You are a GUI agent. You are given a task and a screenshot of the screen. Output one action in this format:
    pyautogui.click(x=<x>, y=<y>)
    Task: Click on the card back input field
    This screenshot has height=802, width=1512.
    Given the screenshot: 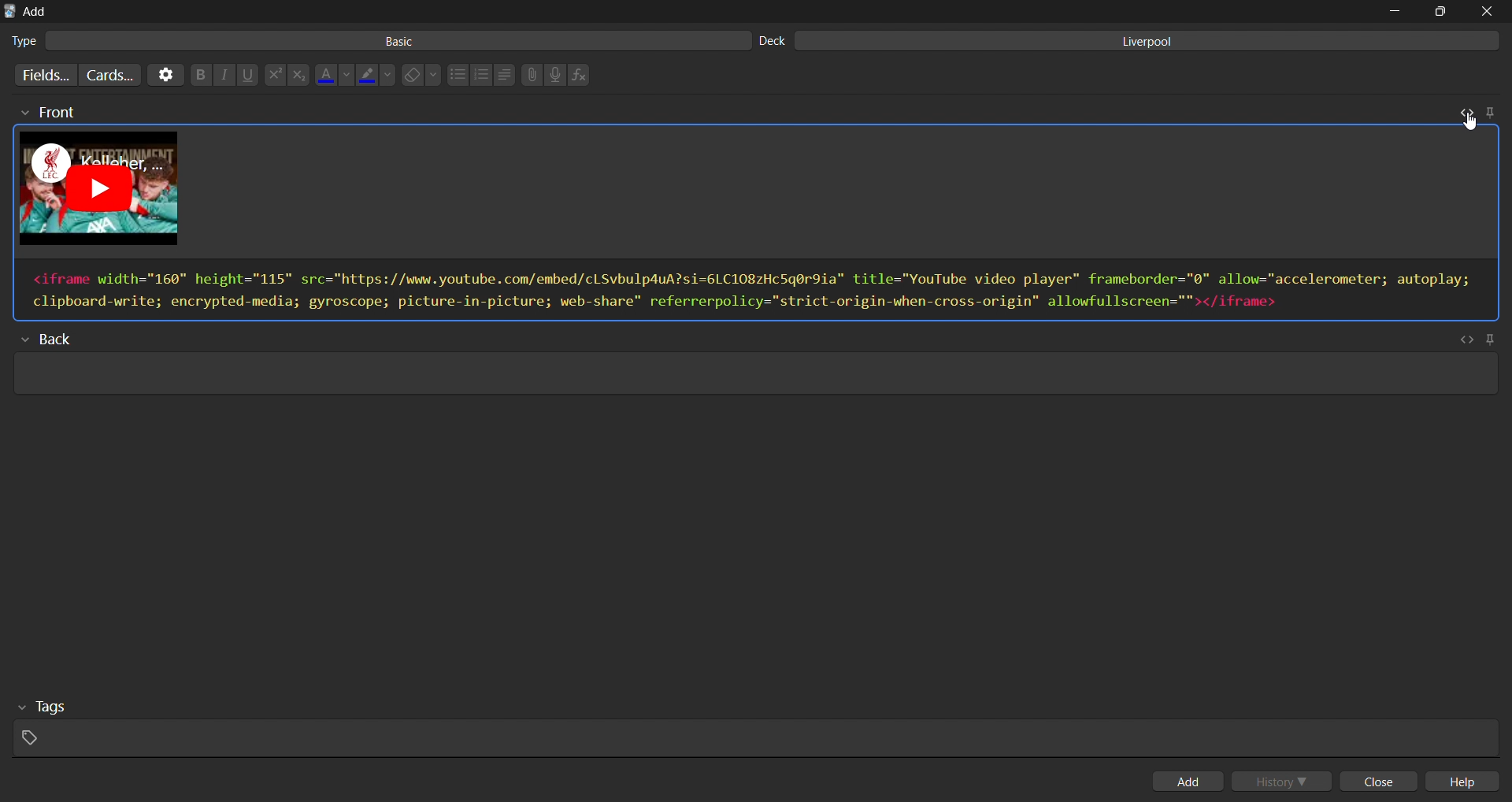 What is the action you would take?
    pyautogui.click(x=760, y=376)
    